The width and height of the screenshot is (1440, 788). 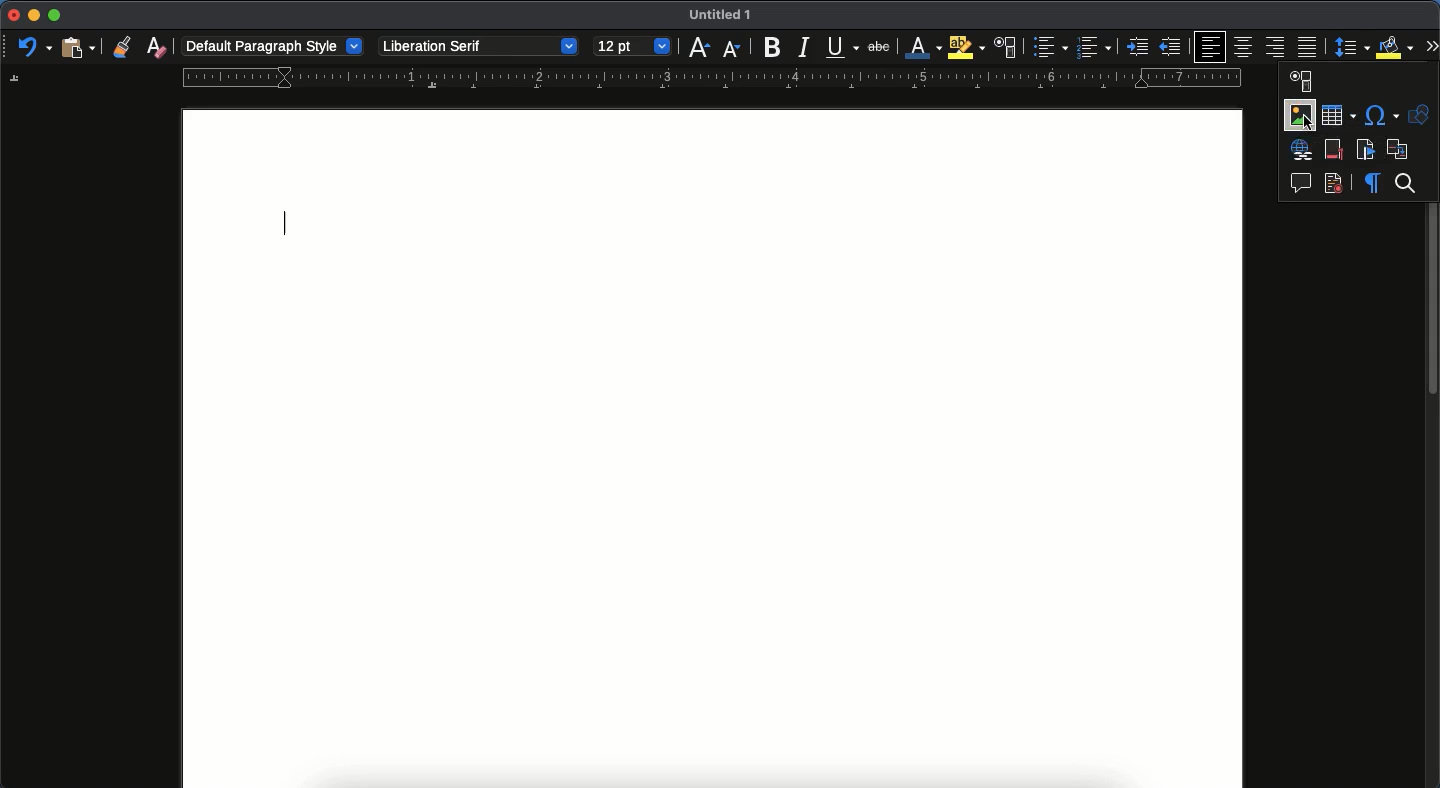 What do you see at coordinates (1398, 148) in the screenshot?
I see `cross reference` at bounding box center [1398, 148].